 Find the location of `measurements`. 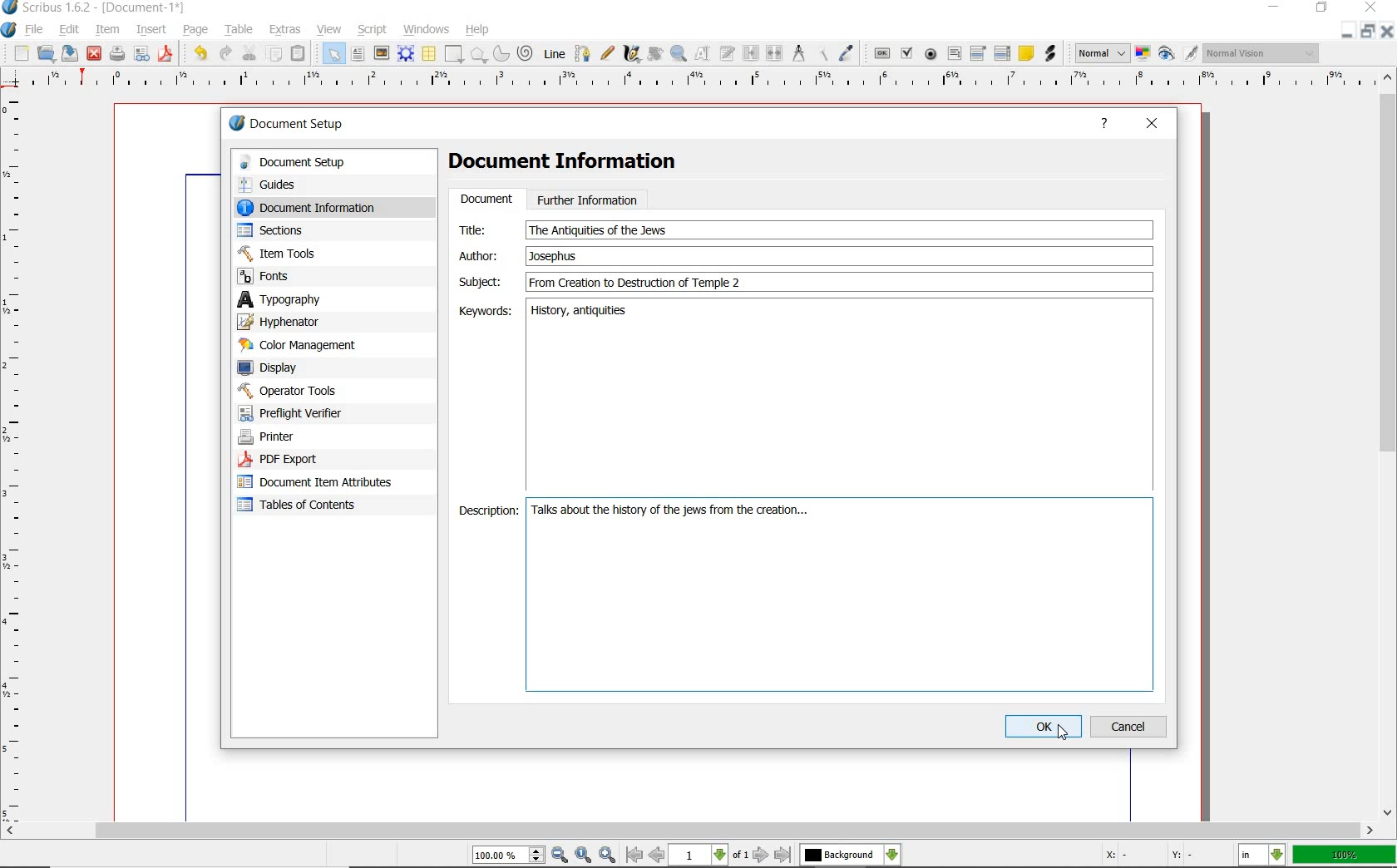

measurements is located at coordinates (797, 53).